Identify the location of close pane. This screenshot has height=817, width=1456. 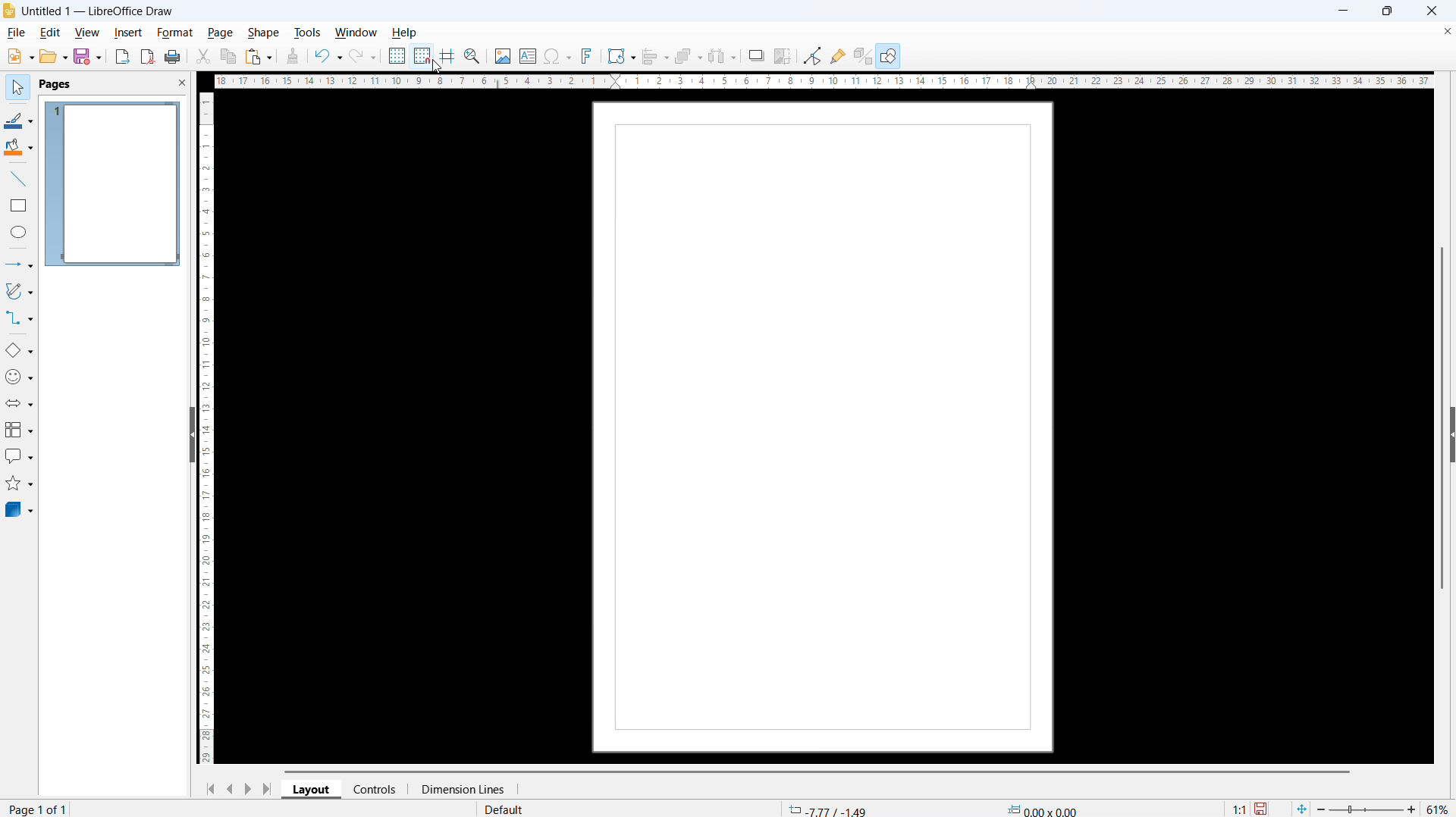
(181, 82).